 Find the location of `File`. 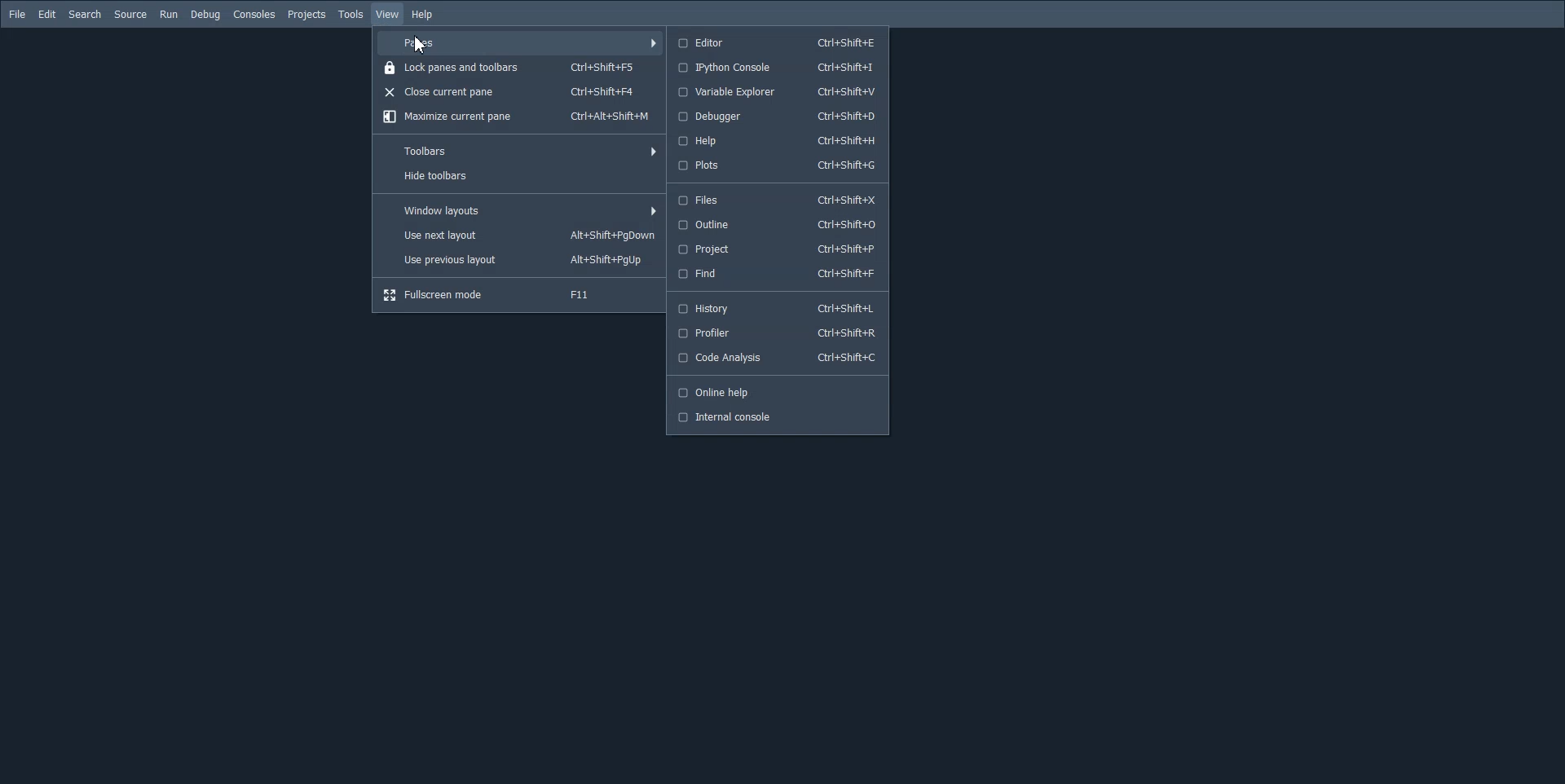

File is located at coordinates (18, 14).